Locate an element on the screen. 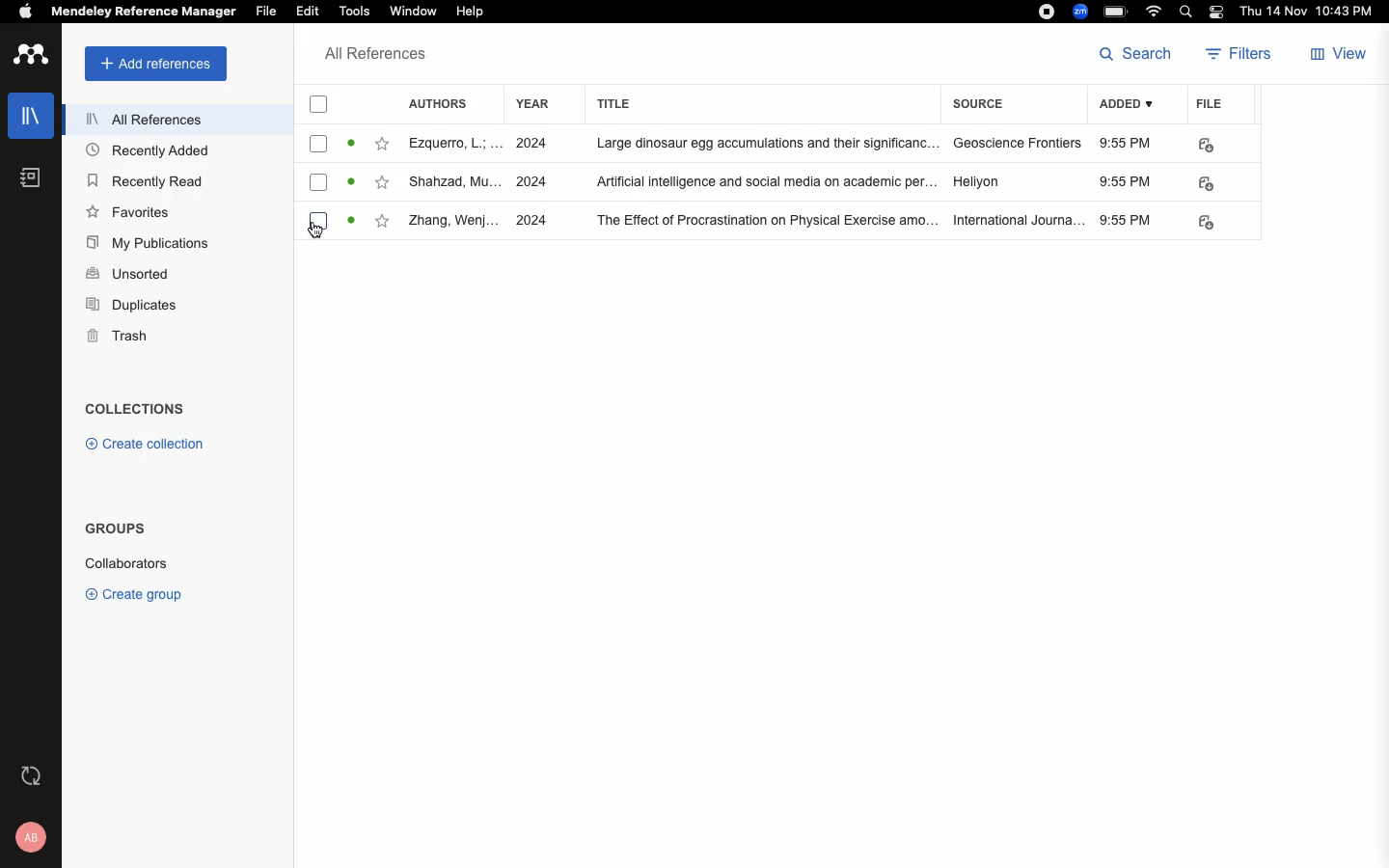  Notification is located at coordinates (1219, 12).